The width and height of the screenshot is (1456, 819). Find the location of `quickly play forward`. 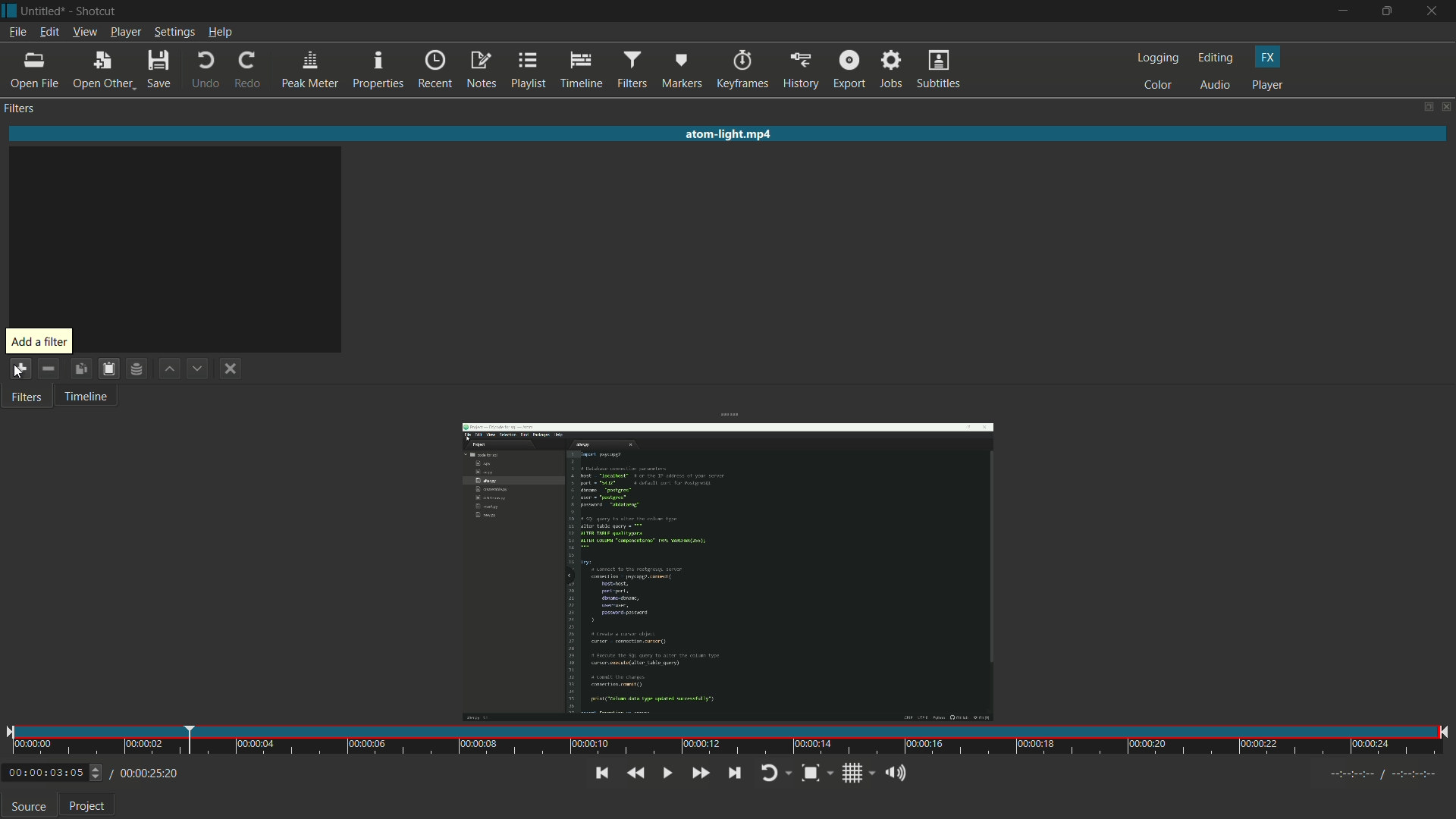

quickly play forward is located at coordinates (698, 771).